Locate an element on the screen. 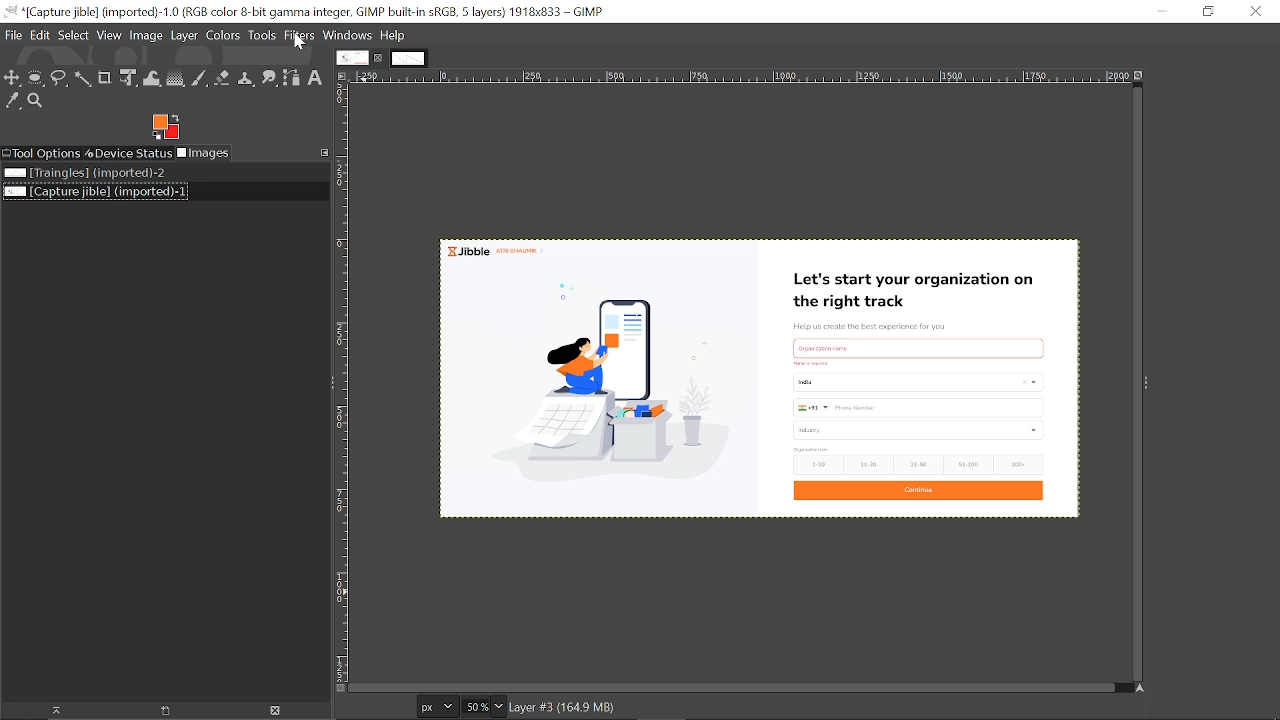  Image info is located at coordinates (566, 707).